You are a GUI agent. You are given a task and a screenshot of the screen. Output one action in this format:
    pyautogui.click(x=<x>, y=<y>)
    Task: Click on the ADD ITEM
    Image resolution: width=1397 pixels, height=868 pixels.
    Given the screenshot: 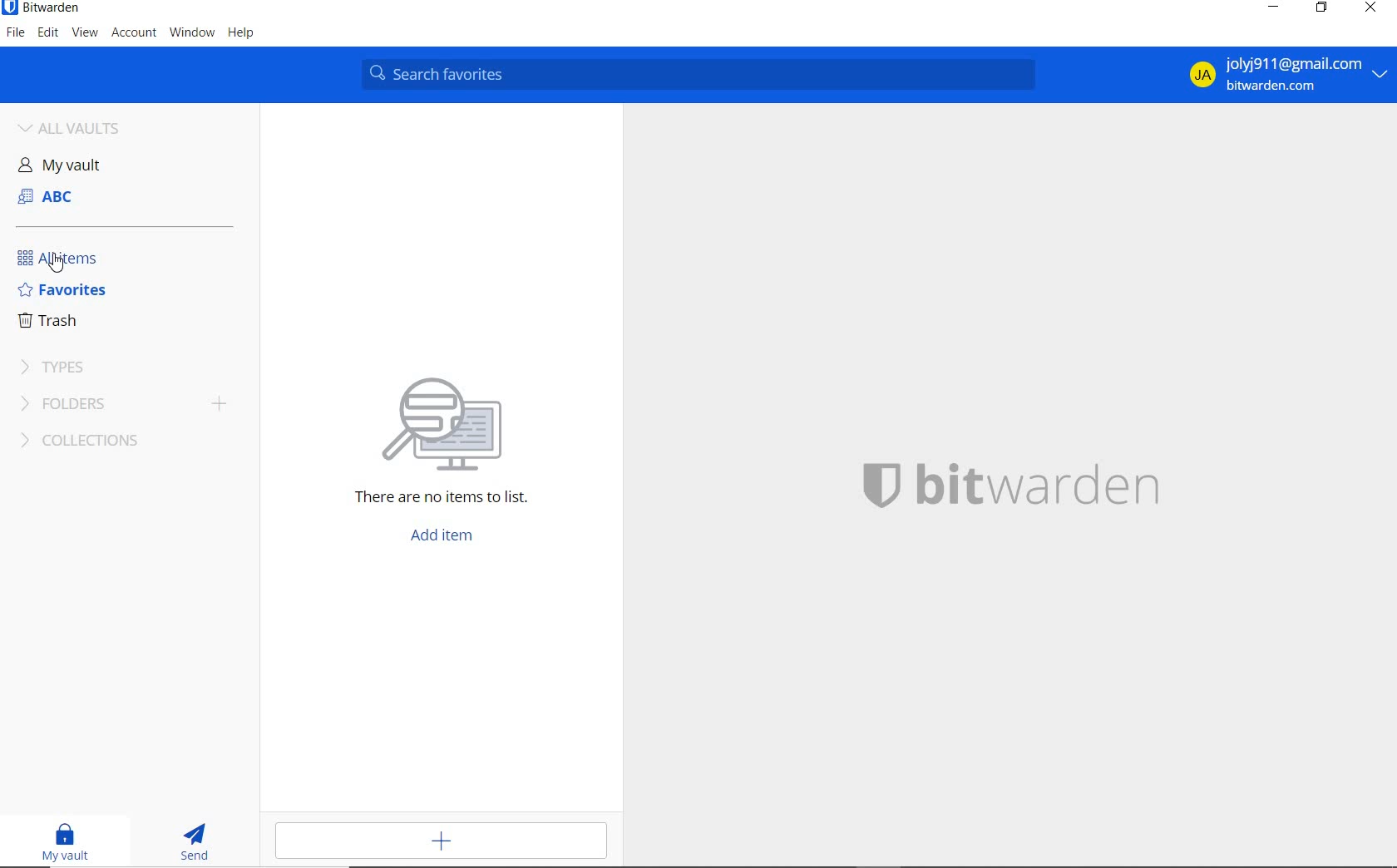 What is the action you would take?
    pyautogui.click(x=446, y=841)
    